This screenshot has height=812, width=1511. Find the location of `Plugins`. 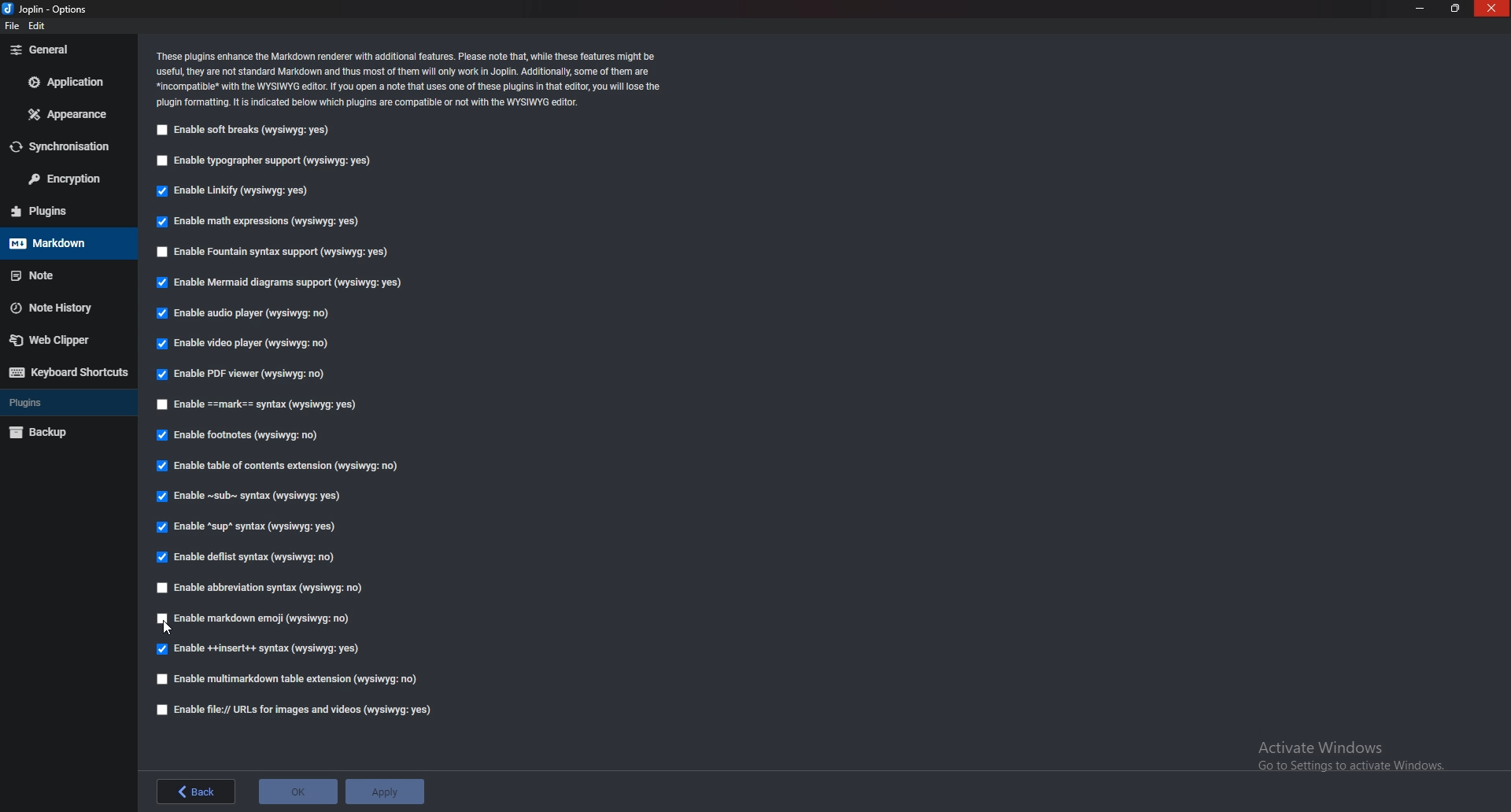

Plugins is located at coordinates (62, 212).